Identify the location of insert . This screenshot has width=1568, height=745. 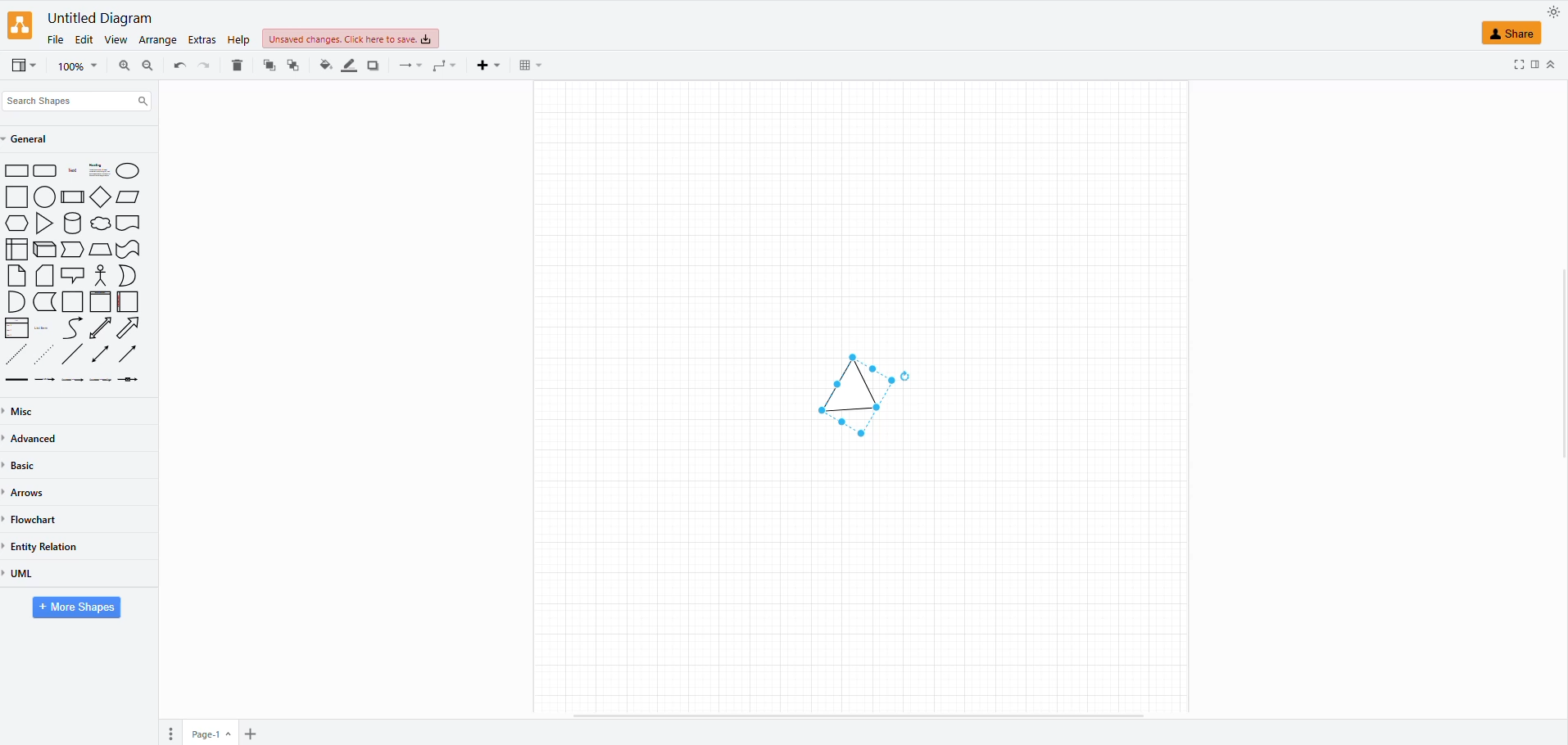
(487, 66).